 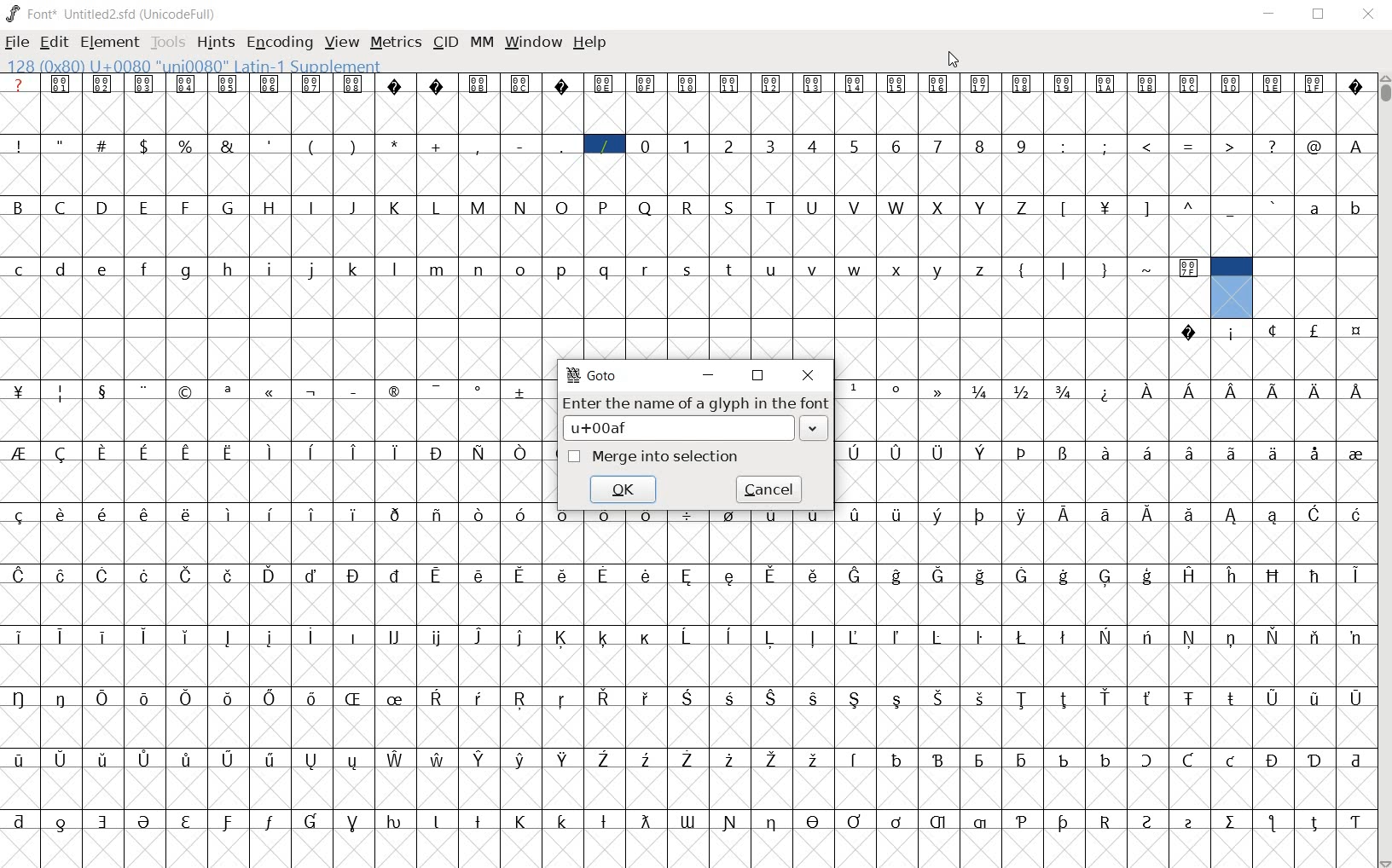 What do you see at coordinates (438, 454) in the screenshot?
I see `Symbol` at bounding box center [438, 454].